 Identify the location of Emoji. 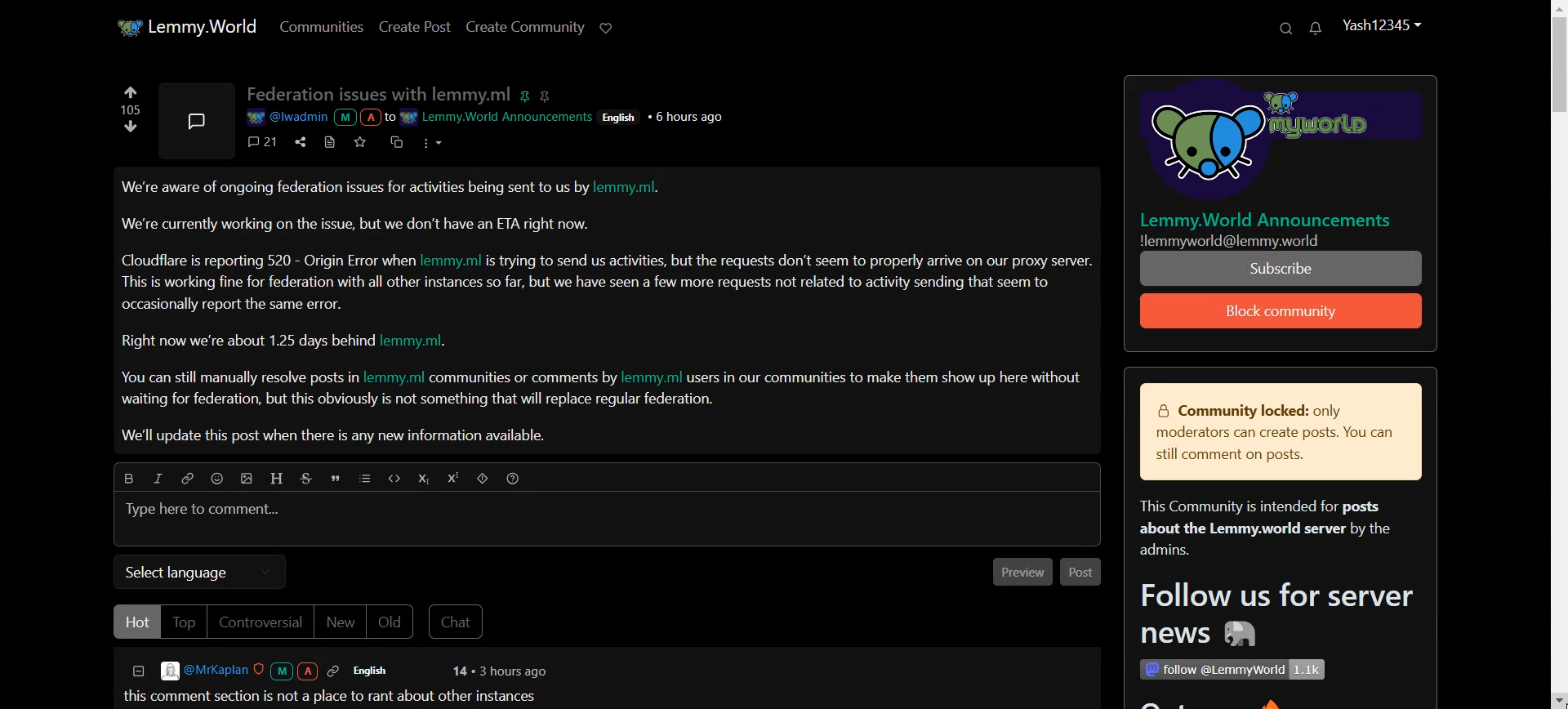
(217, 478).